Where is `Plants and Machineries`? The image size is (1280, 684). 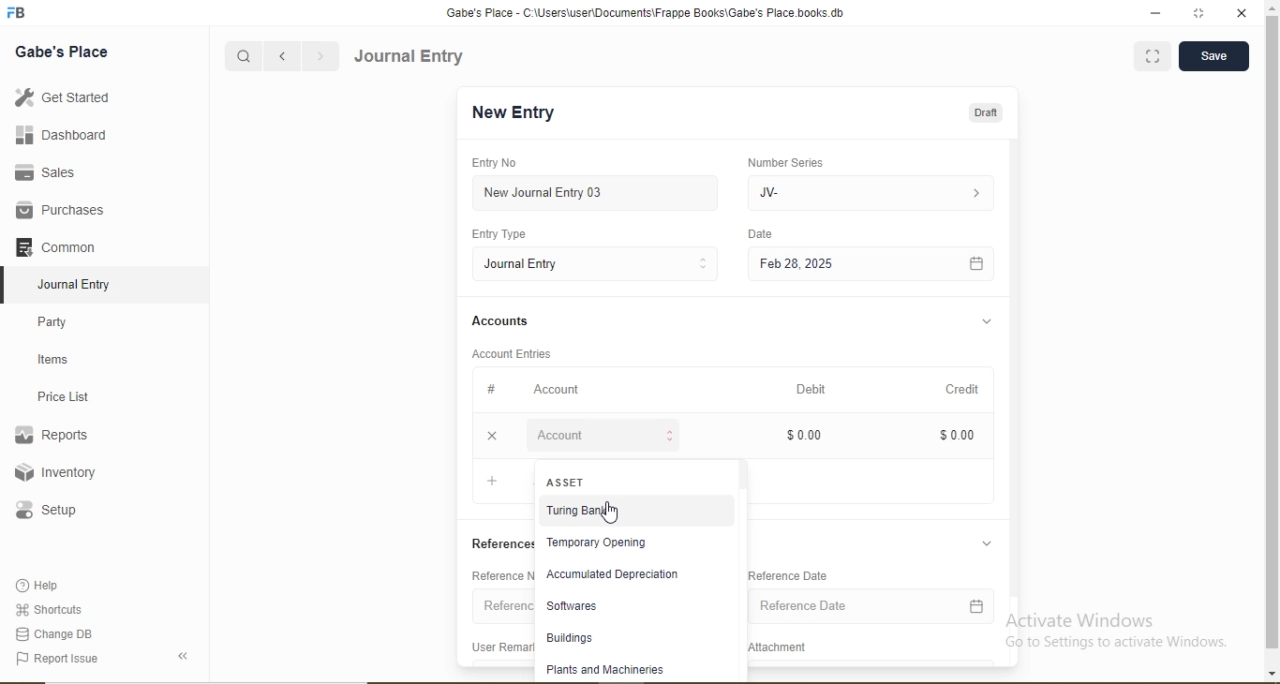 Plants and Machineries is located at coordinates (604, 670).